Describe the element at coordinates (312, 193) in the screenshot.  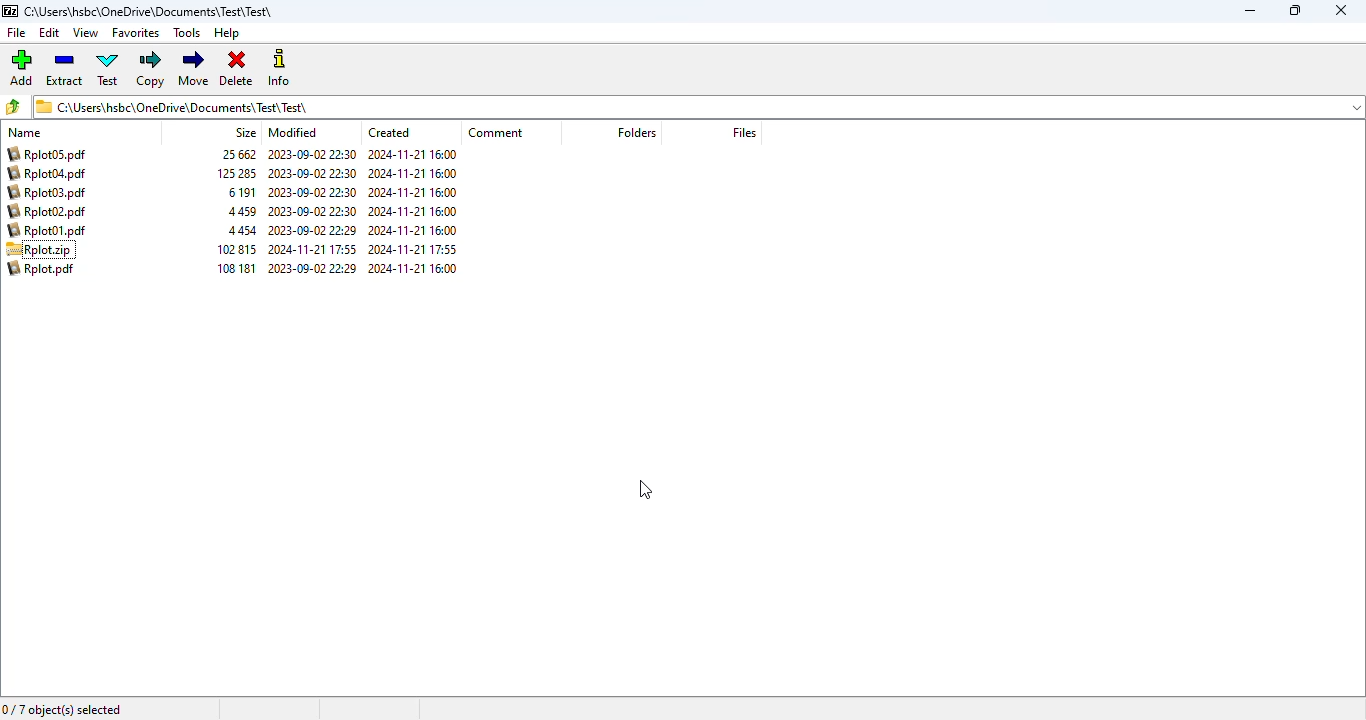
I see `2023-09-02 22:30` at that location.